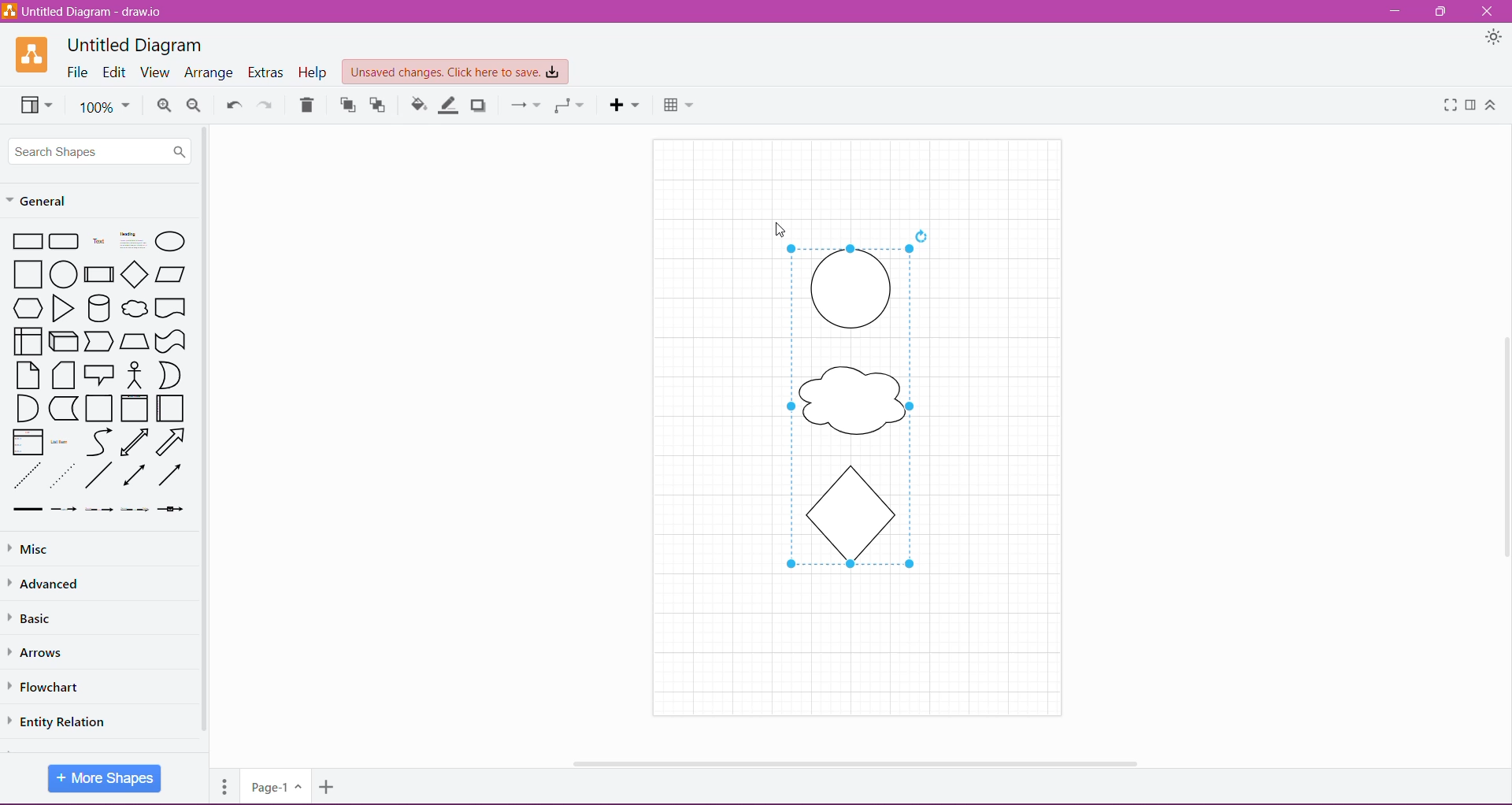  I want to click on View, so click(33, 104).